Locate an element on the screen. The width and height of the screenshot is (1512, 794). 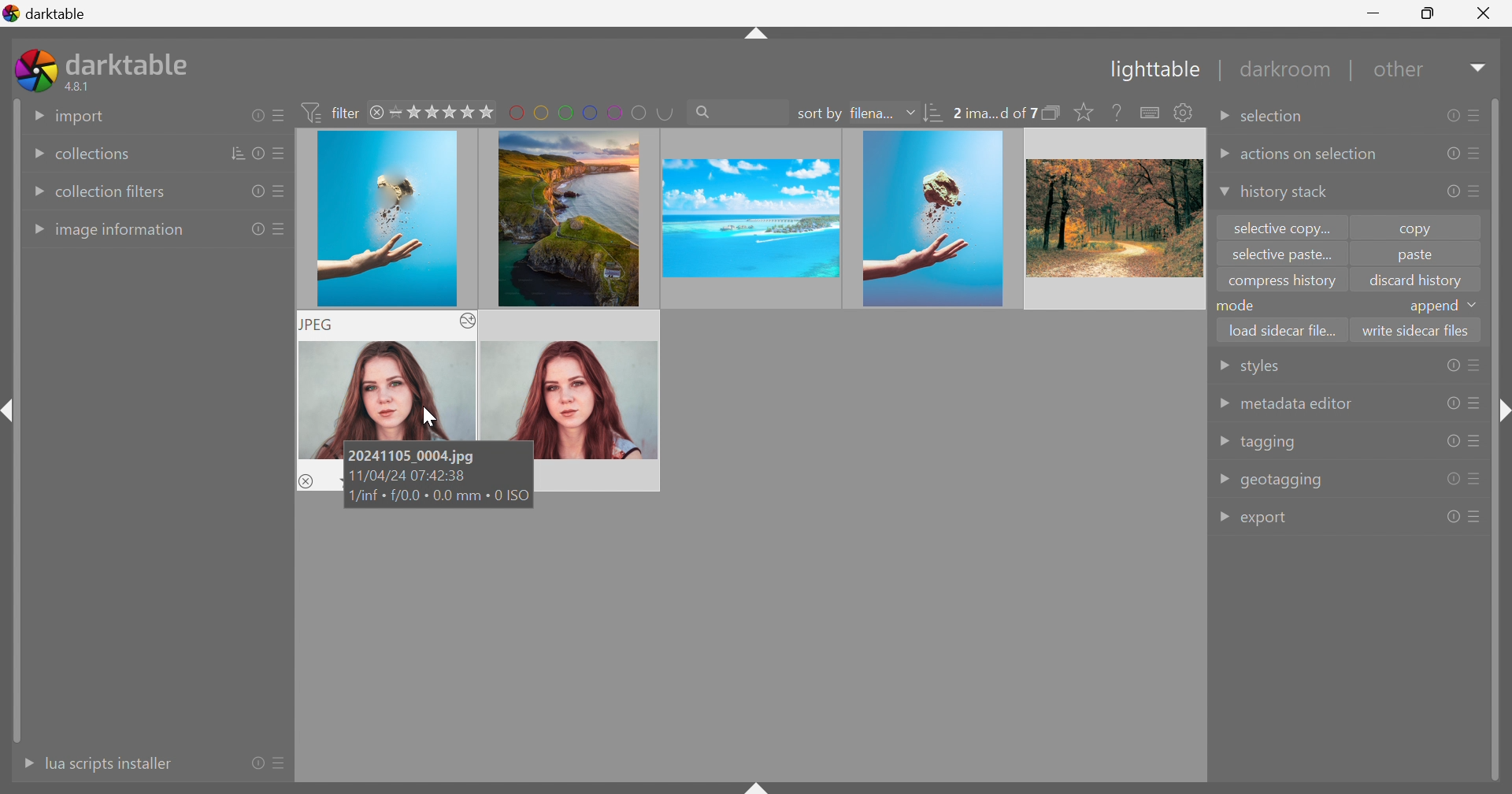
mode is located at coordinates (1240, 305).